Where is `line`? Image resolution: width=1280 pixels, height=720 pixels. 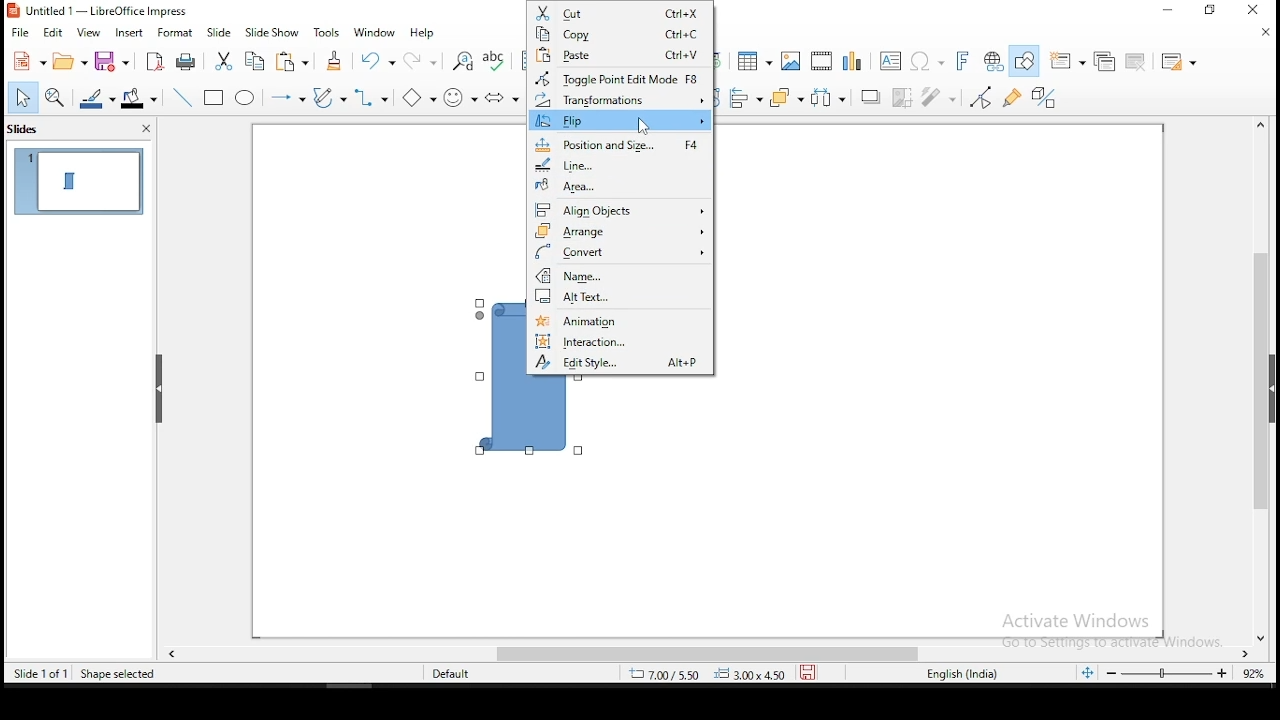
line is located at coordinates (622, 165).